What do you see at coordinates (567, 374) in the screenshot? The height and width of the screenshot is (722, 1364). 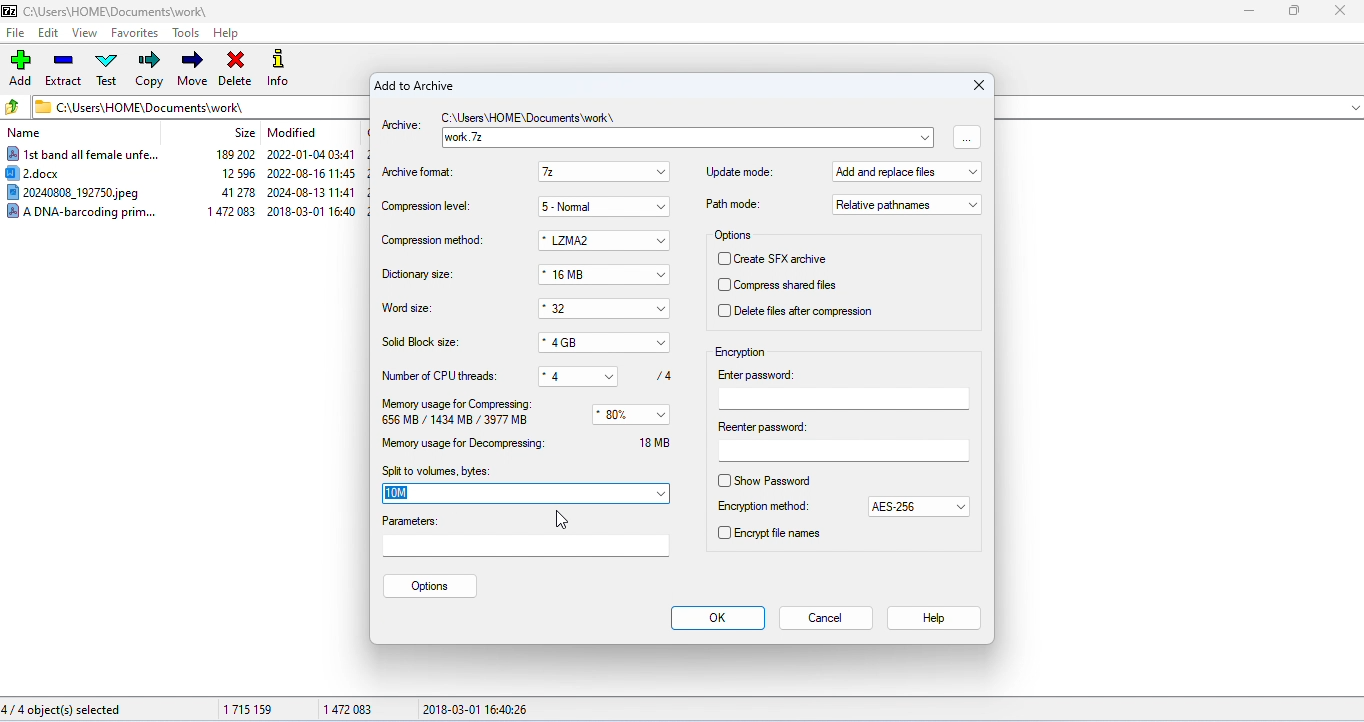 I see `*4` at bounding box center [567, 374].